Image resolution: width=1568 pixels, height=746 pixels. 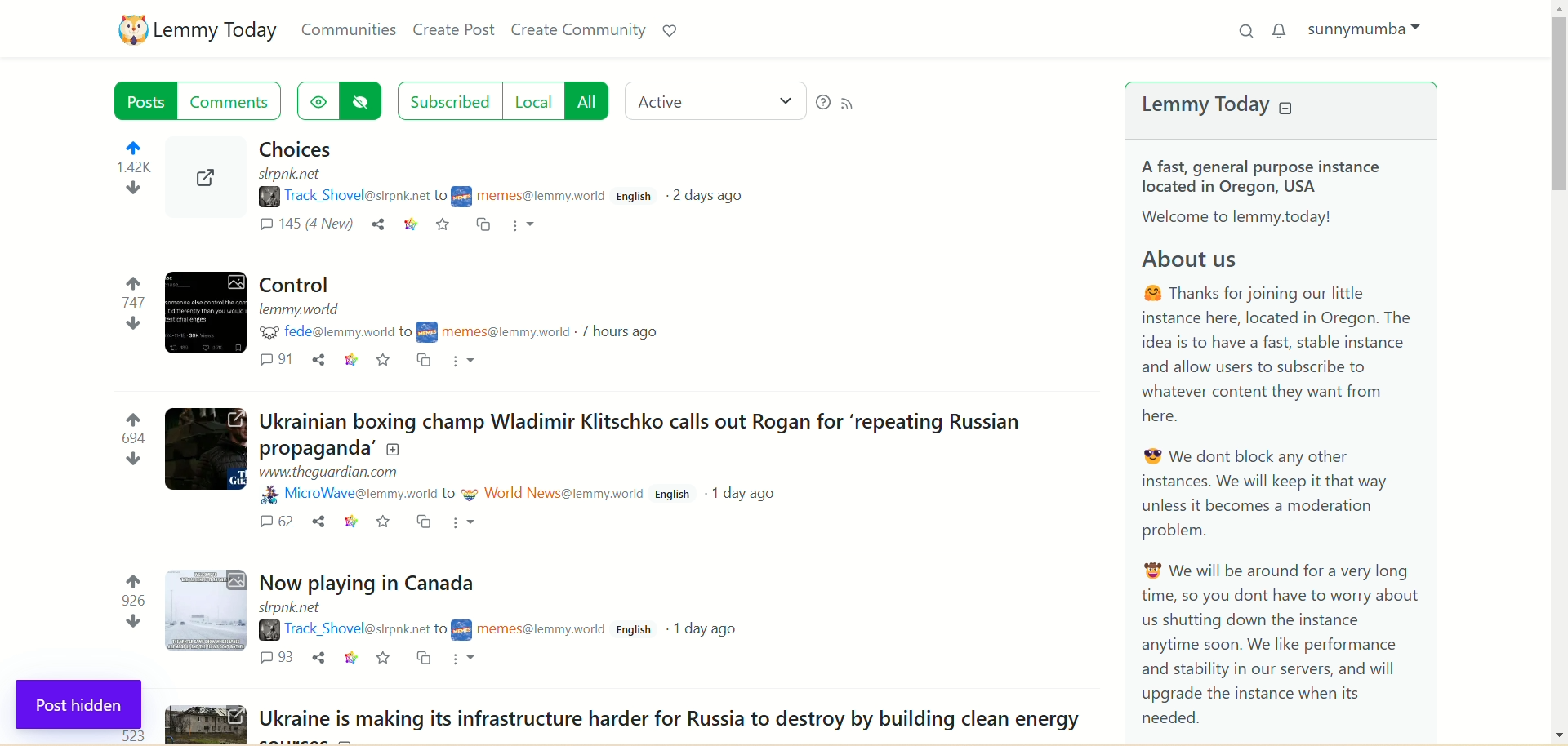 I want to click on search, so click(x=1245, y=32).